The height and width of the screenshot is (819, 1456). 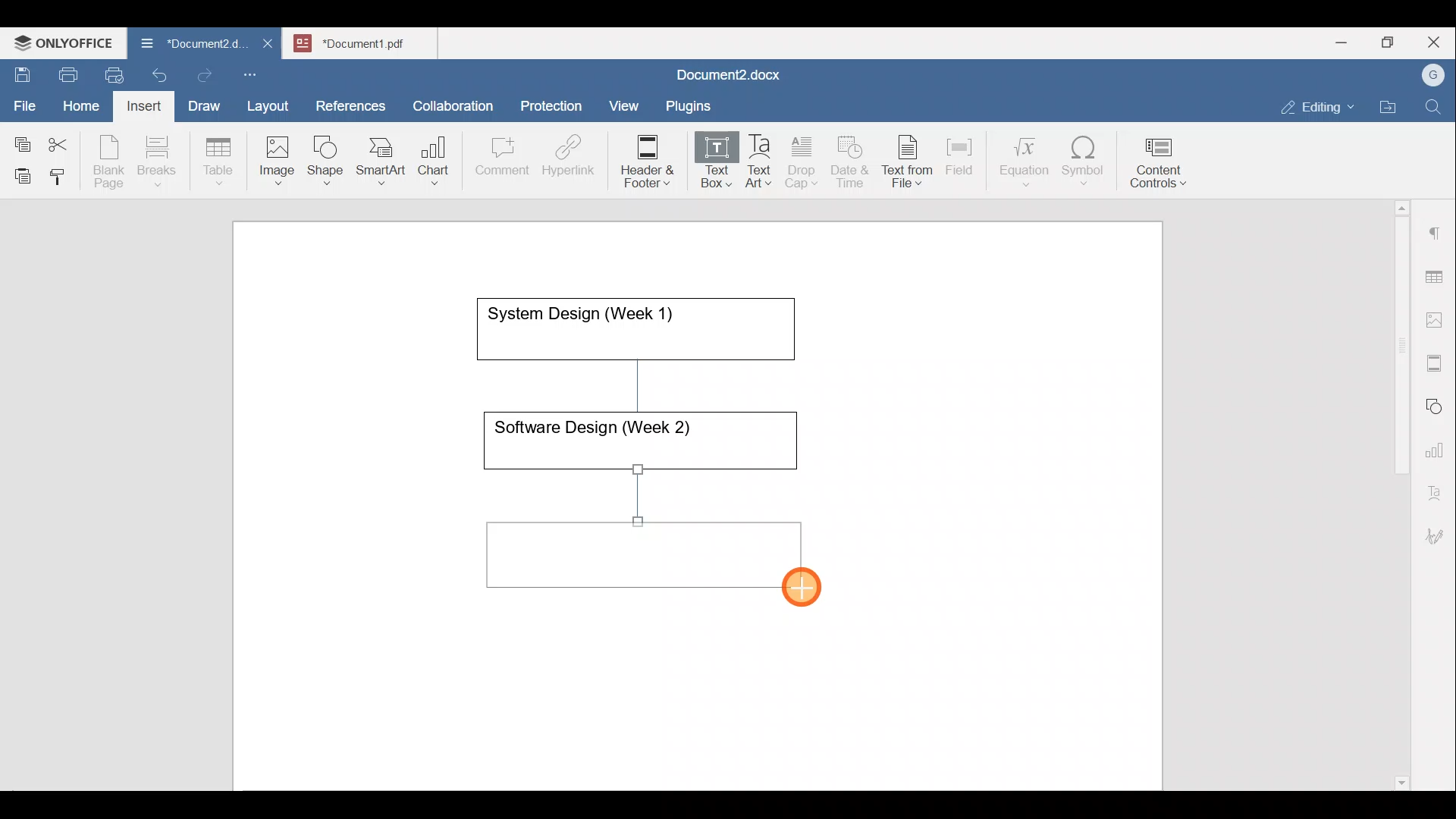 I want to click on Image, so click(x=281, y=155).